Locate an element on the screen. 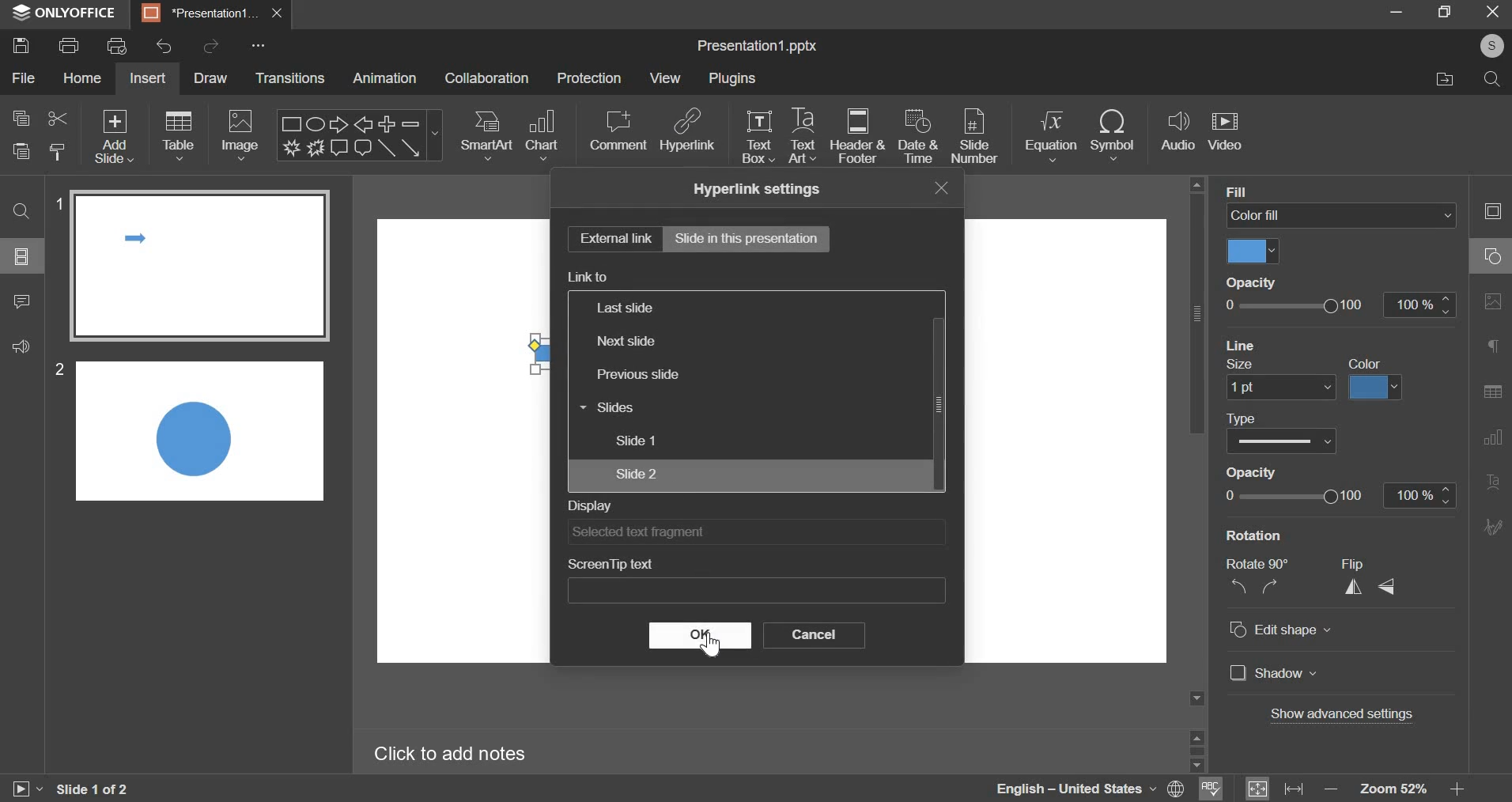 Image resolution: width=1512 pixels, height=802 pixels. Text Art settings is located at coordinates (1495, 481).